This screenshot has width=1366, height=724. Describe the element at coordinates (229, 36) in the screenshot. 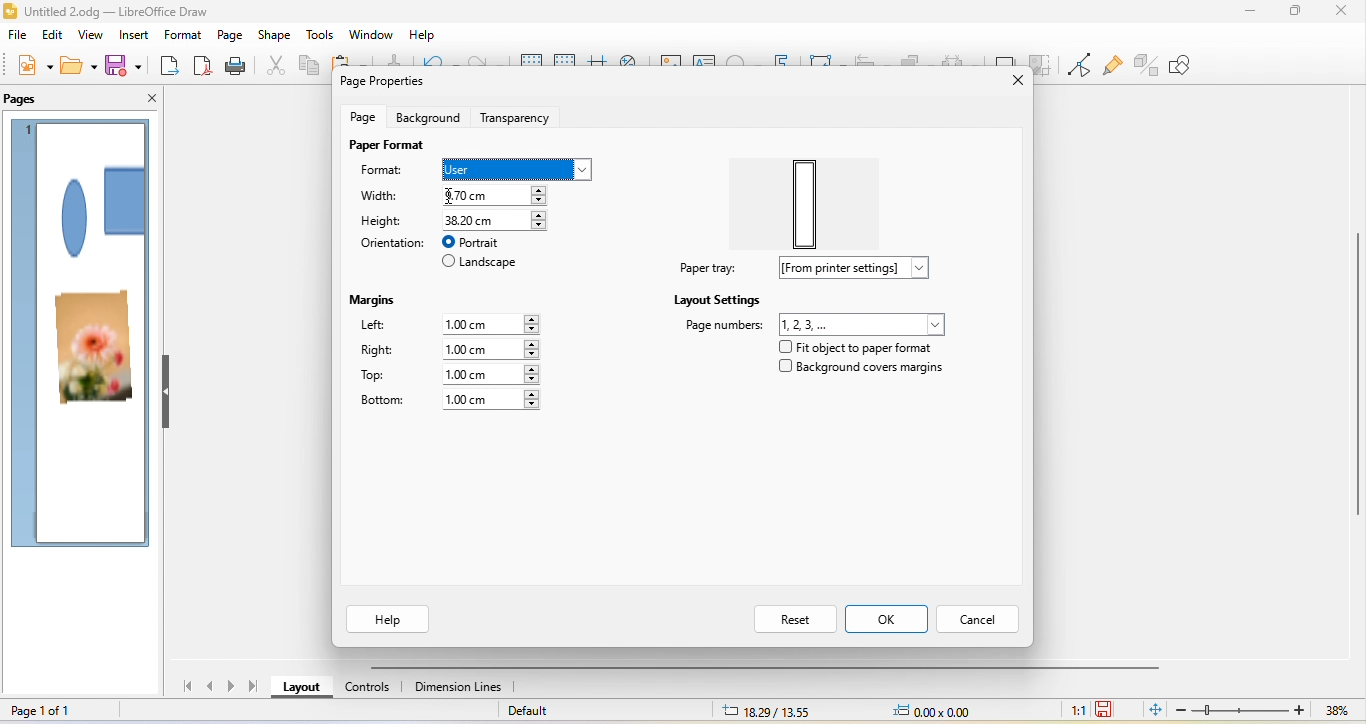

I see `page` at that location.